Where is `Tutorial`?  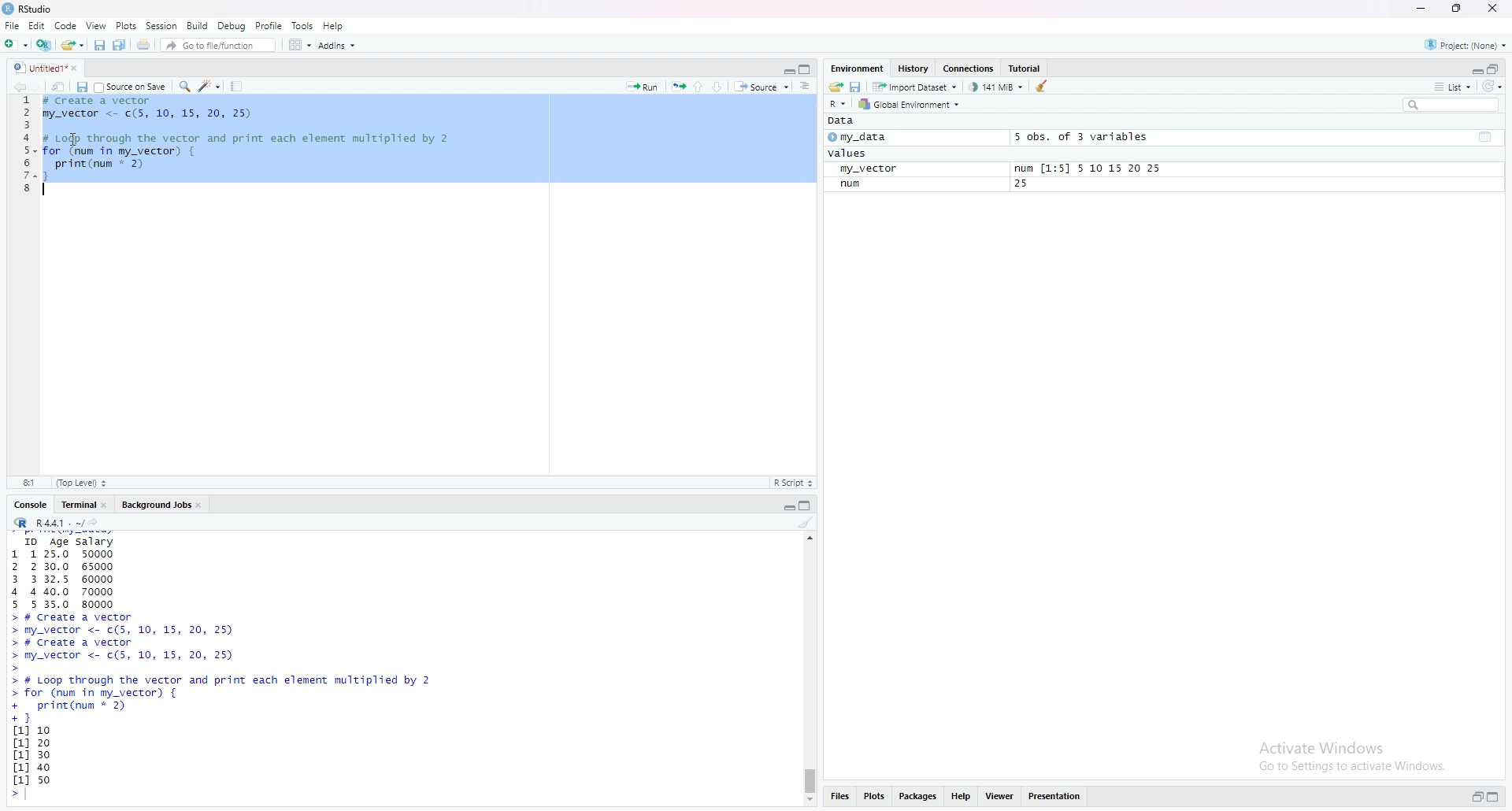
Tutorial is located at coordinates (1027, 67).